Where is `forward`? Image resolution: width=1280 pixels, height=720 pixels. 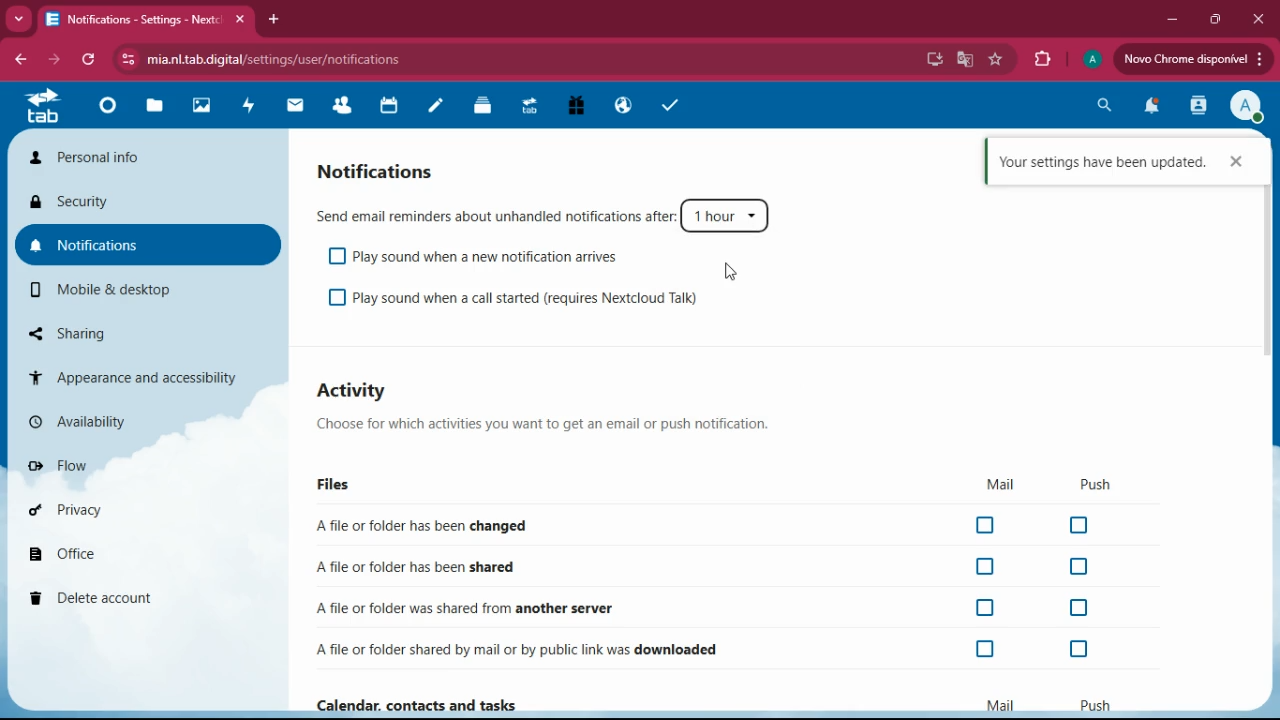
forward is located at coordinates (54, 59).